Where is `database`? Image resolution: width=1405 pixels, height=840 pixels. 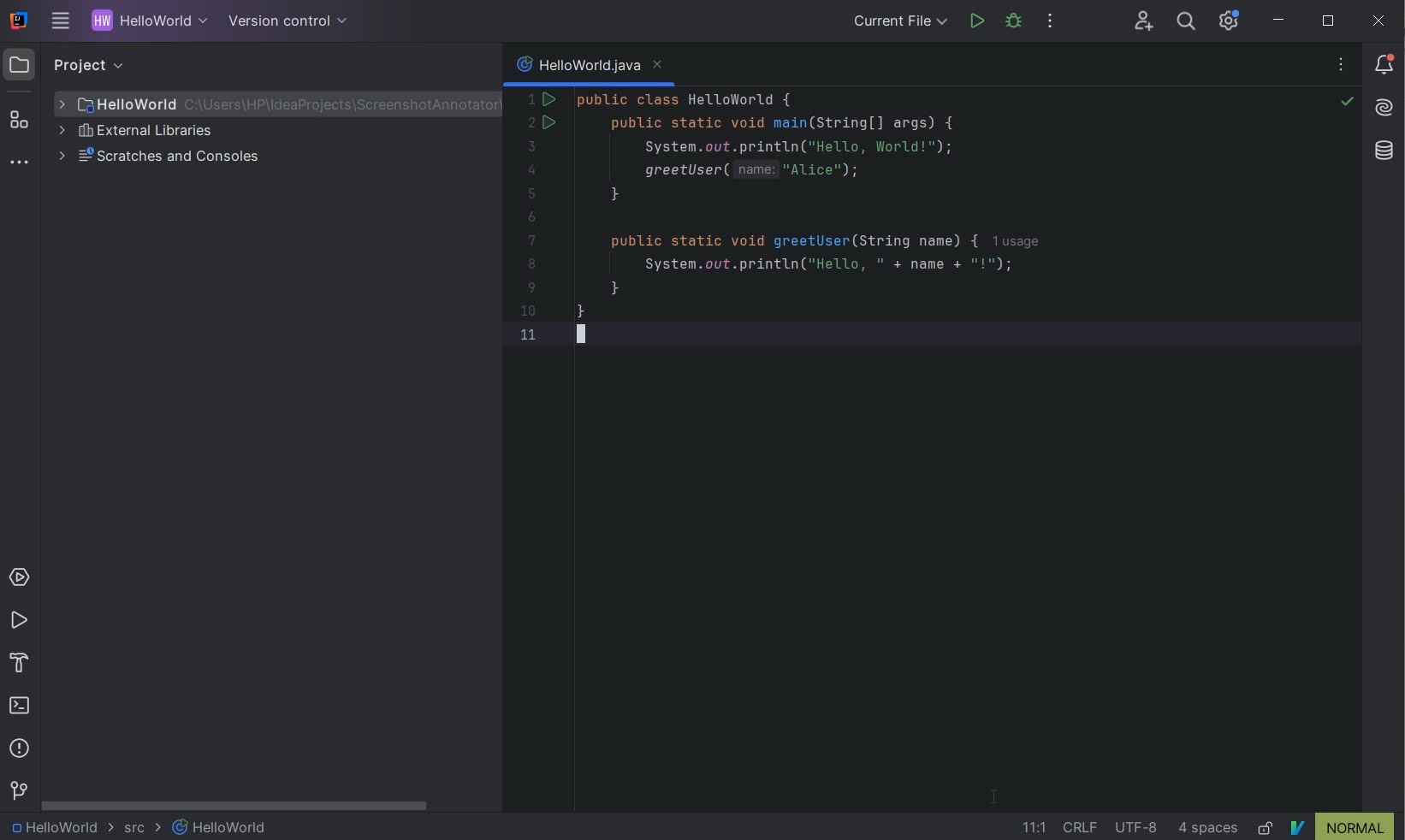 database is located at coordinates (1385, 152).